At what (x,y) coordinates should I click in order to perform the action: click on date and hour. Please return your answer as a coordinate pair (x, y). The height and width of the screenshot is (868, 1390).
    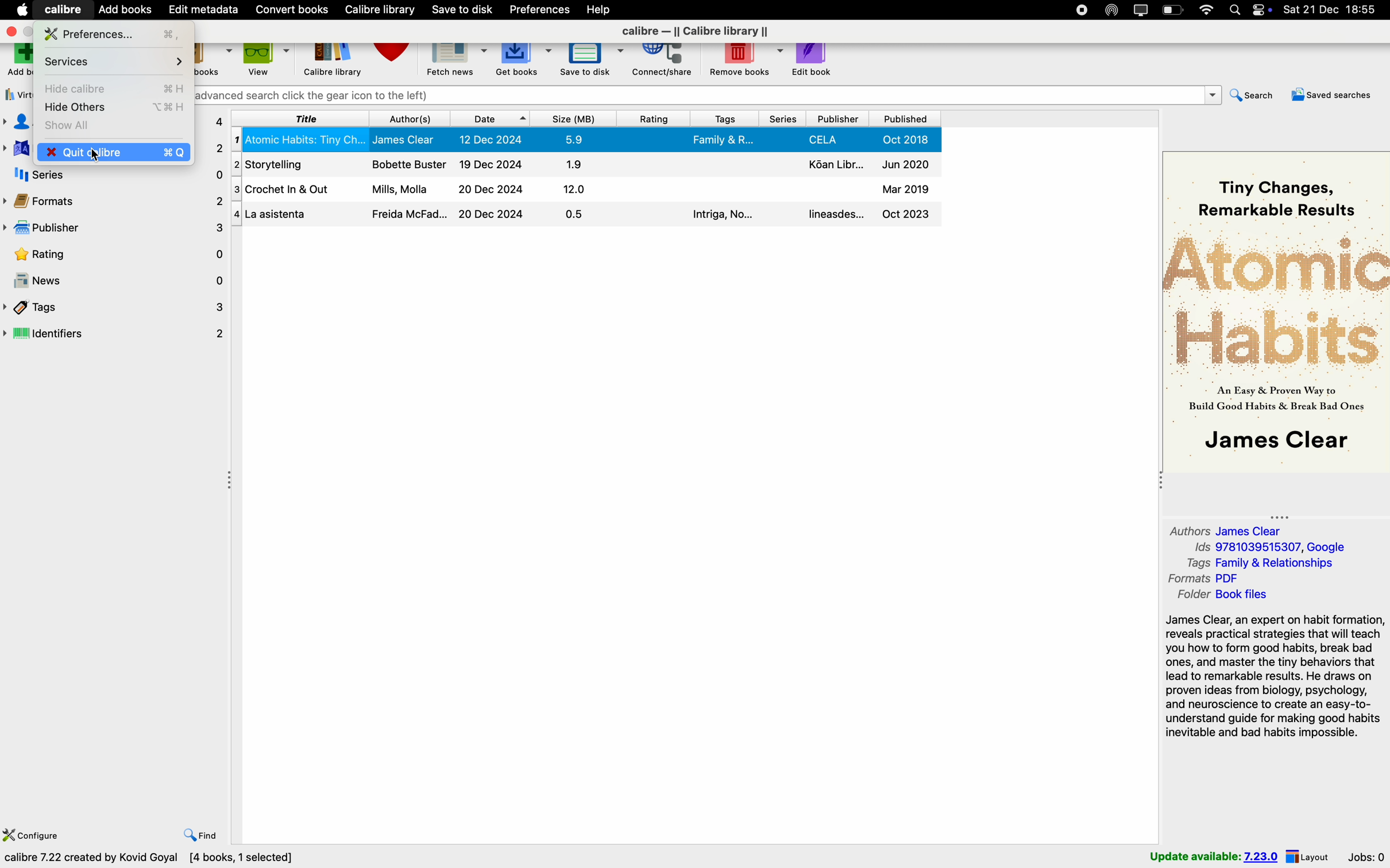
    Looking at the image, I should click on (1334, 10).